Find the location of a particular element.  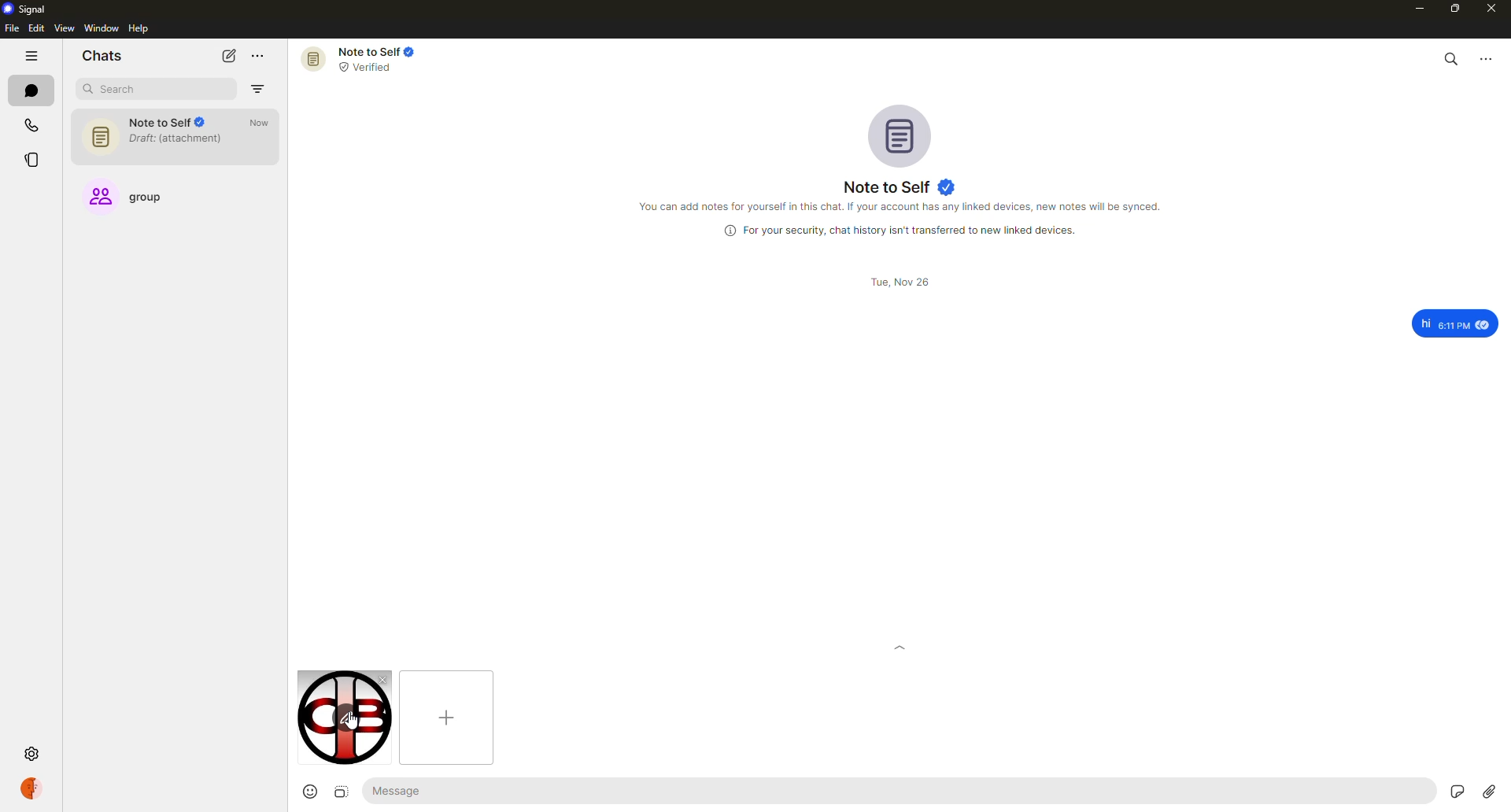

window is located at coordinates (102, 28).